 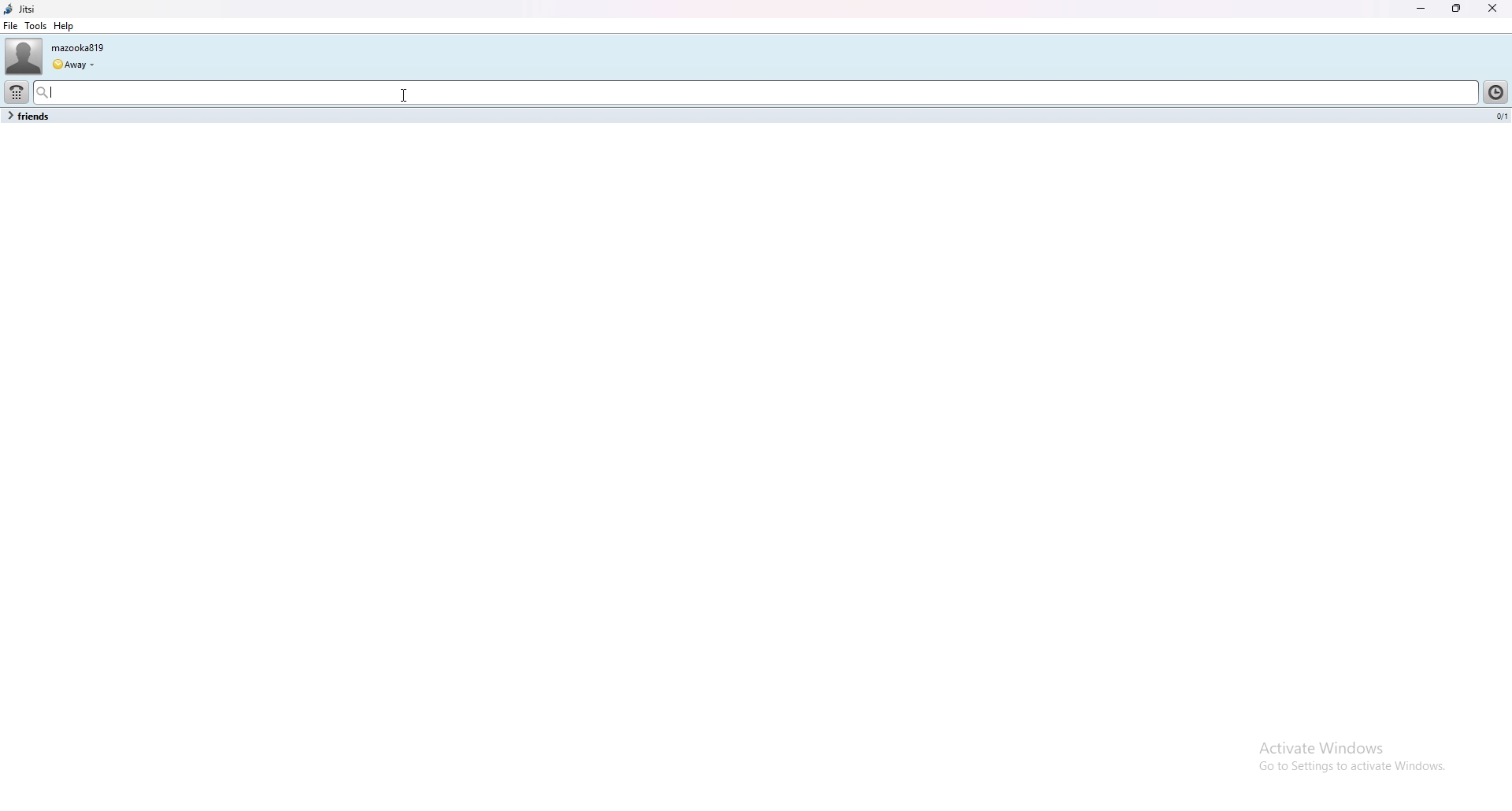 I want to click on user photo, so click(x=21, y=56).